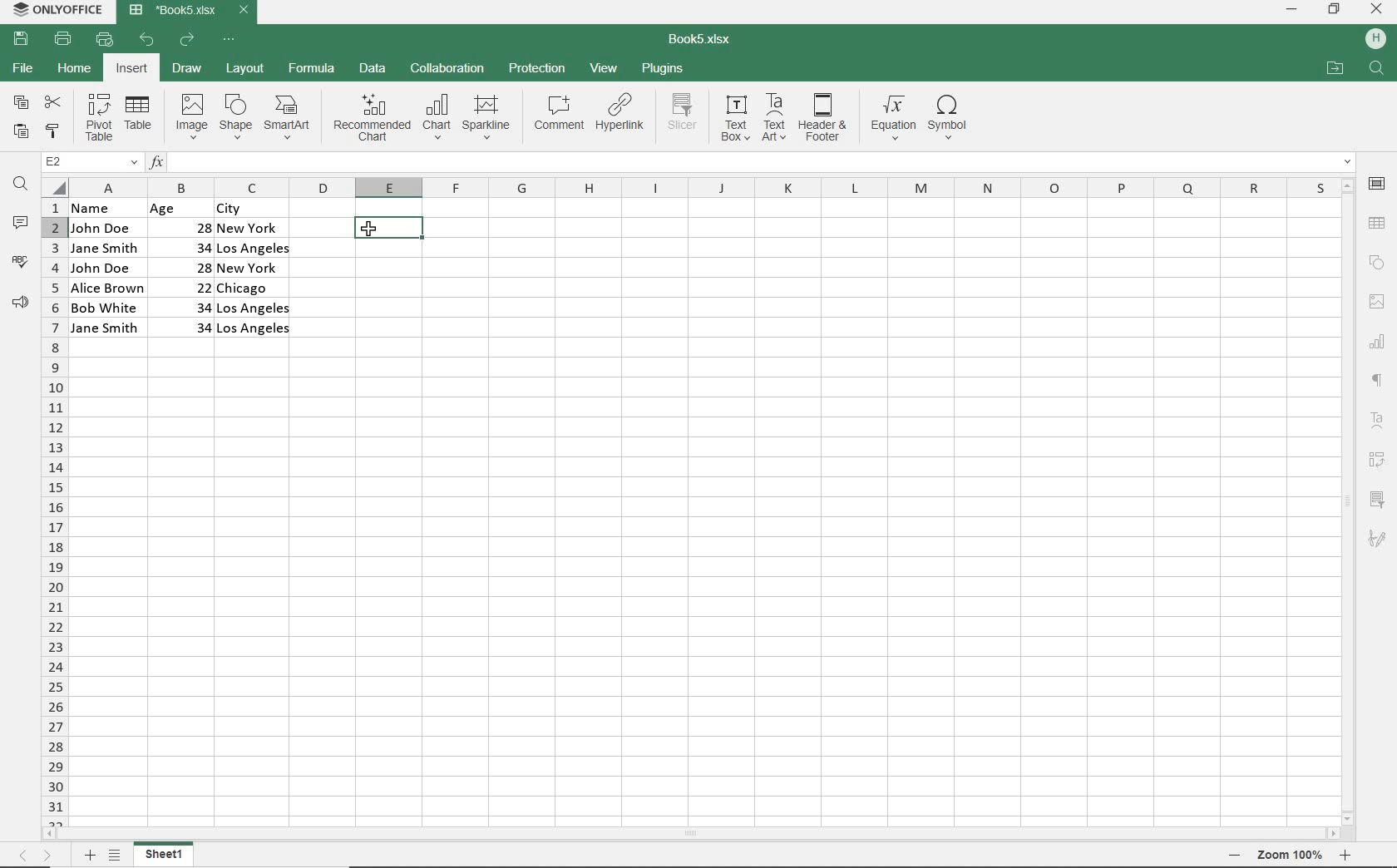  Describe the element at coordinates (684, 119) in the screenshot. I see `SLICER` at that location.